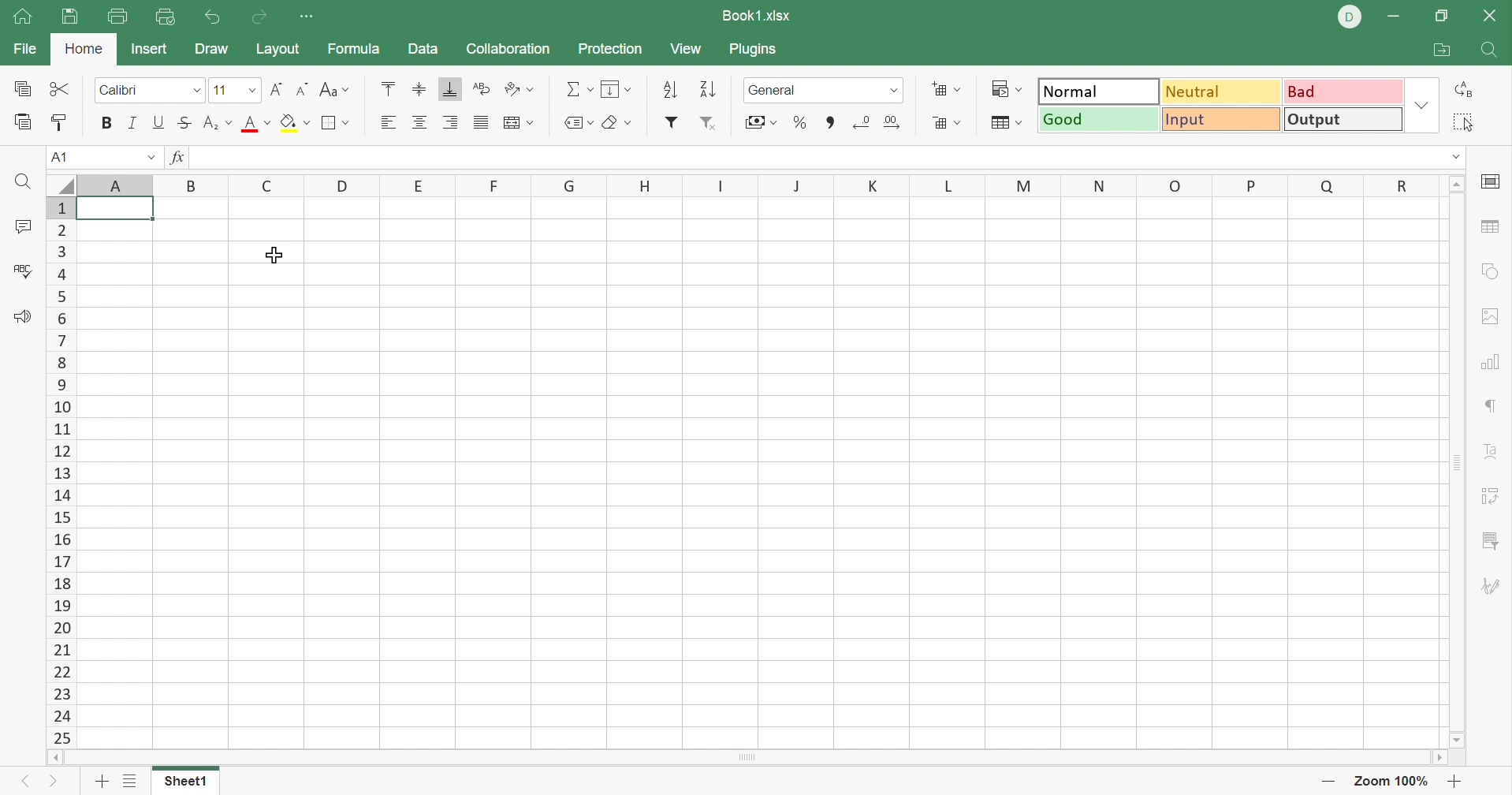 The image size is (1512, 795). What do you see at coordinates (102, 784) in the screenshot?
I see `Add sheet` at bounding box center [102, 784].